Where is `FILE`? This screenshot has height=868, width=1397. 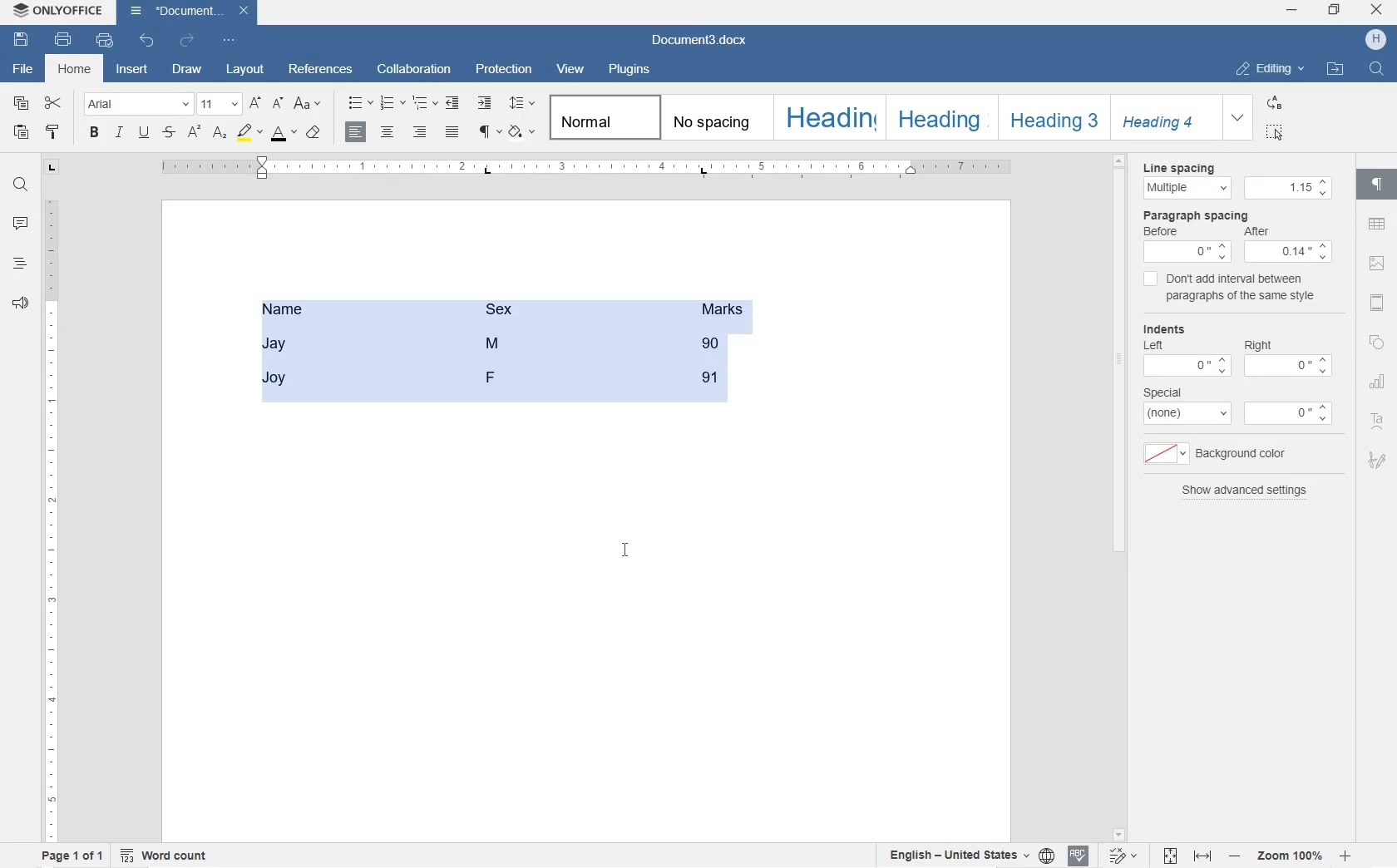
FILE is located at coordinates (20, 70).